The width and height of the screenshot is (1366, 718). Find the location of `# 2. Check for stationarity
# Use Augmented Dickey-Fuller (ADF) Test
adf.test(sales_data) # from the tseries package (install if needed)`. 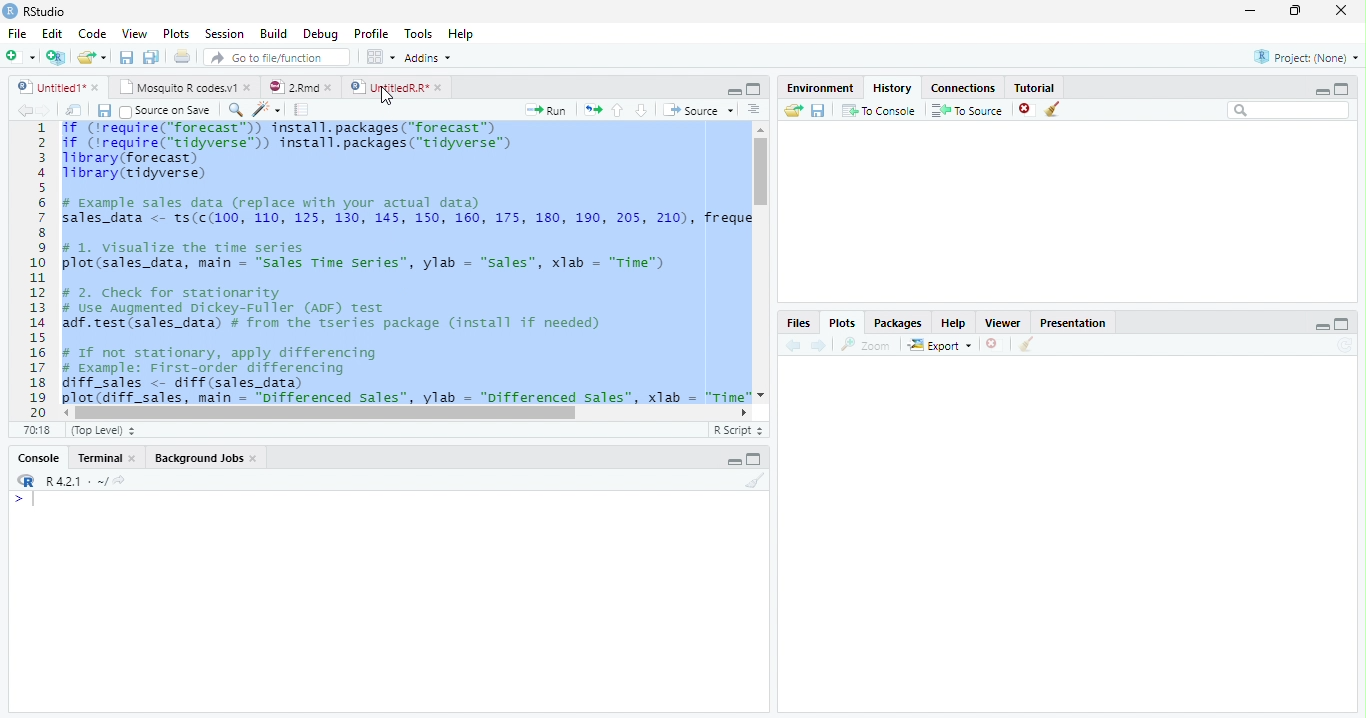

# 2. Check for stationarity
# Use Augmented Dickey-Fuller (ADF) Test
adf.test(sales_data) # from the tseries package (install if needed) is located at coordinates (332, 309).